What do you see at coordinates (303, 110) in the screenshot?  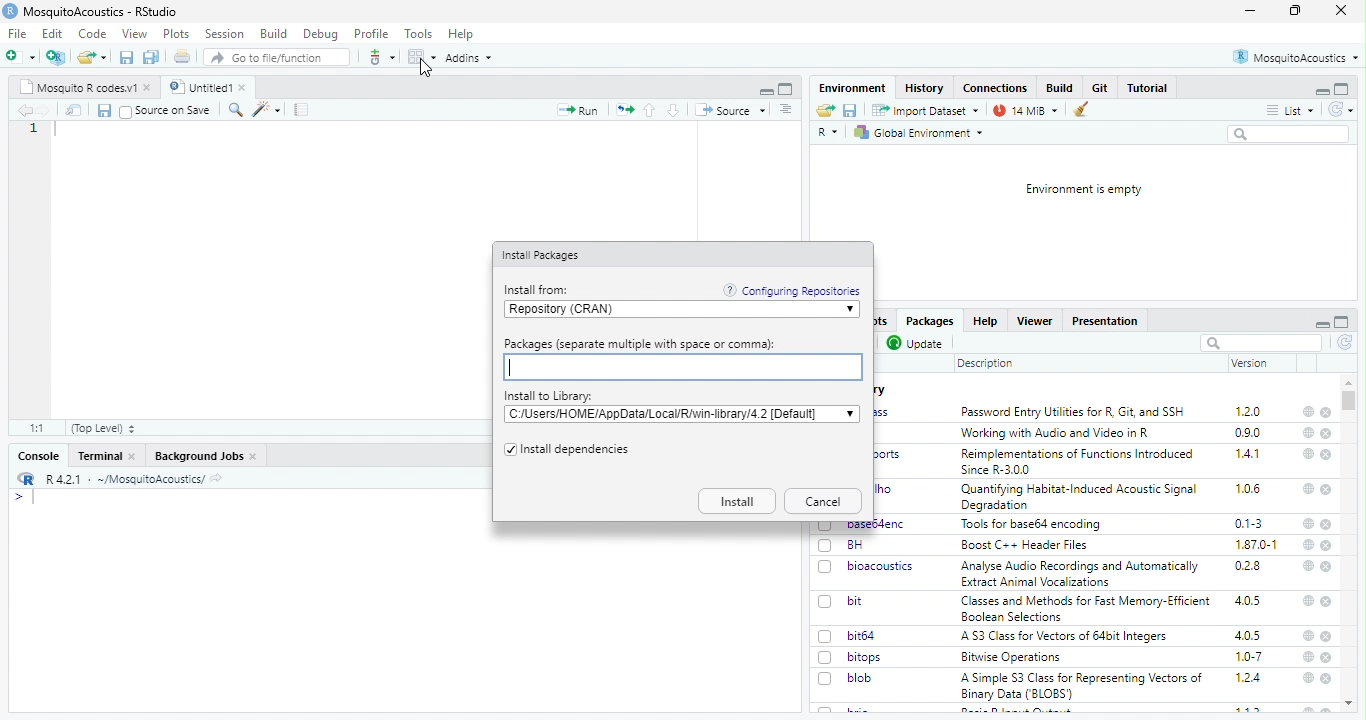 I see `Dataset’s ` at bounding box center [303, 110].